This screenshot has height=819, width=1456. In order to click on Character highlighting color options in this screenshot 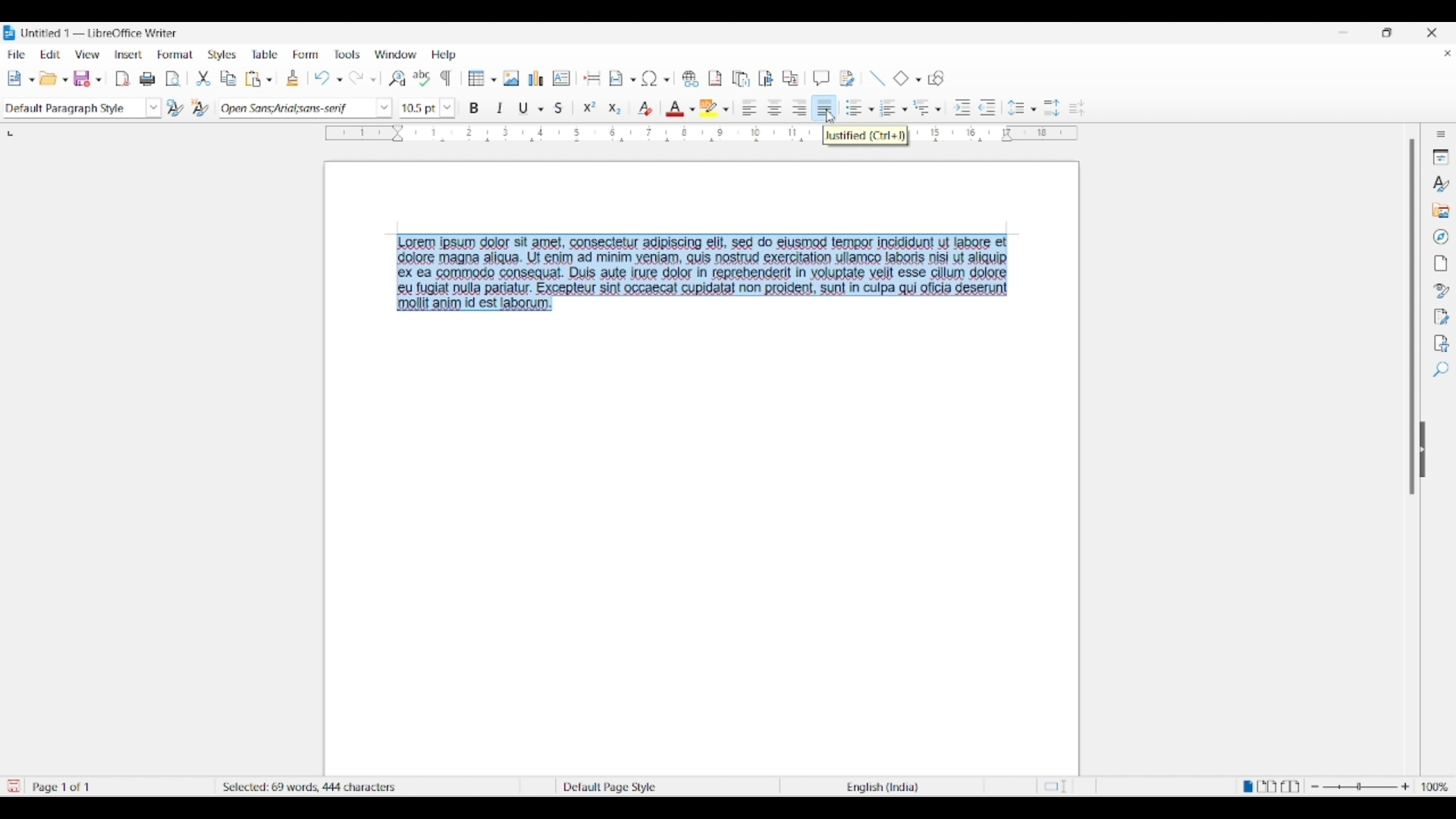, I will do `click(726, 109)`.